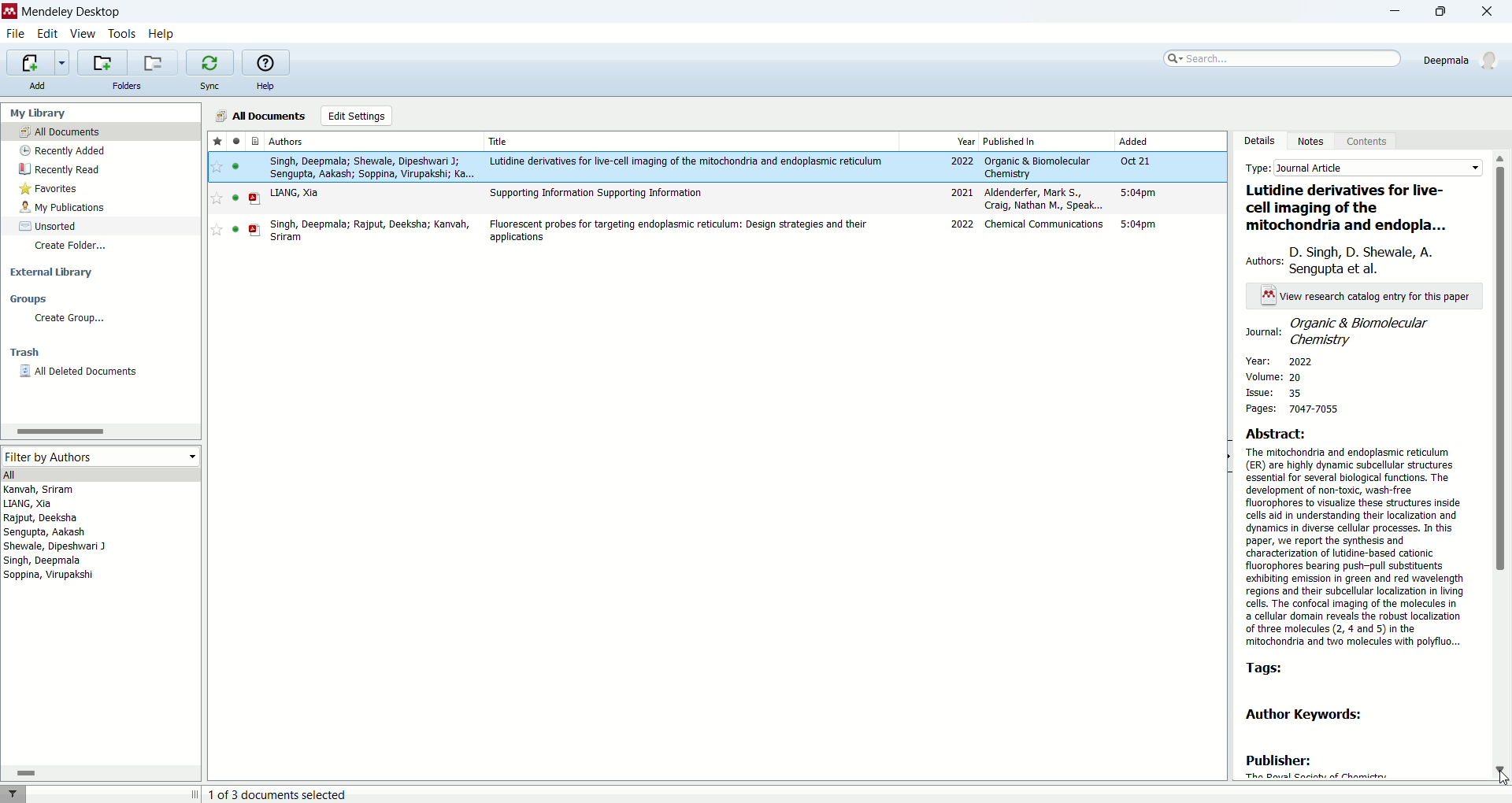 This screenshot has width=1512, height=803. I want to click on favorites, so click(217, 140).